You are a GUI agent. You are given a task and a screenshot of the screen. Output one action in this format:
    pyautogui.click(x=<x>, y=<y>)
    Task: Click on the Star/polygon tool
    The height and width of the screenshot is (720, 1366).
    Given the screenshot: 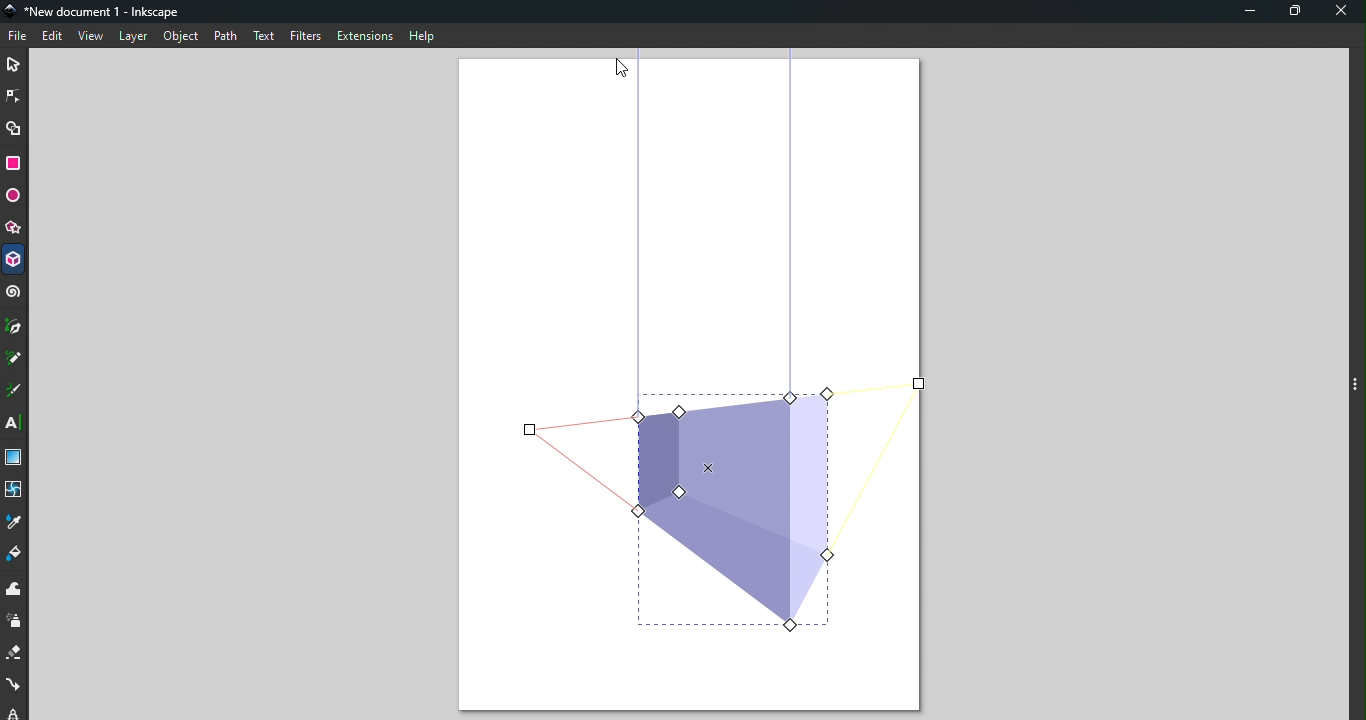 What is the action you would take?
    pyautogui.click(x=15, y=225)
    